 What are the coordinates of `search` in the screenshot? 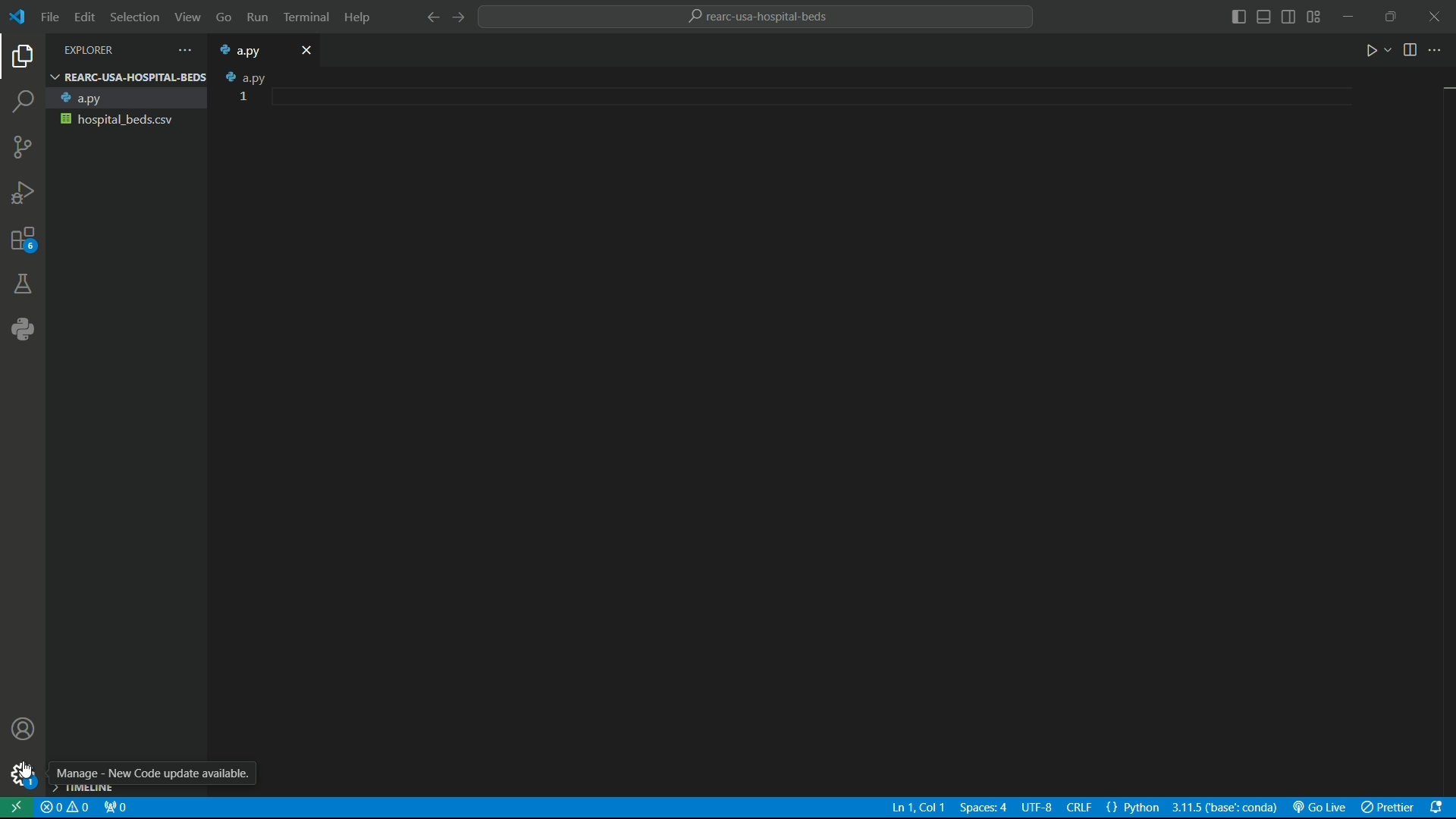 It's located at (24, 103).